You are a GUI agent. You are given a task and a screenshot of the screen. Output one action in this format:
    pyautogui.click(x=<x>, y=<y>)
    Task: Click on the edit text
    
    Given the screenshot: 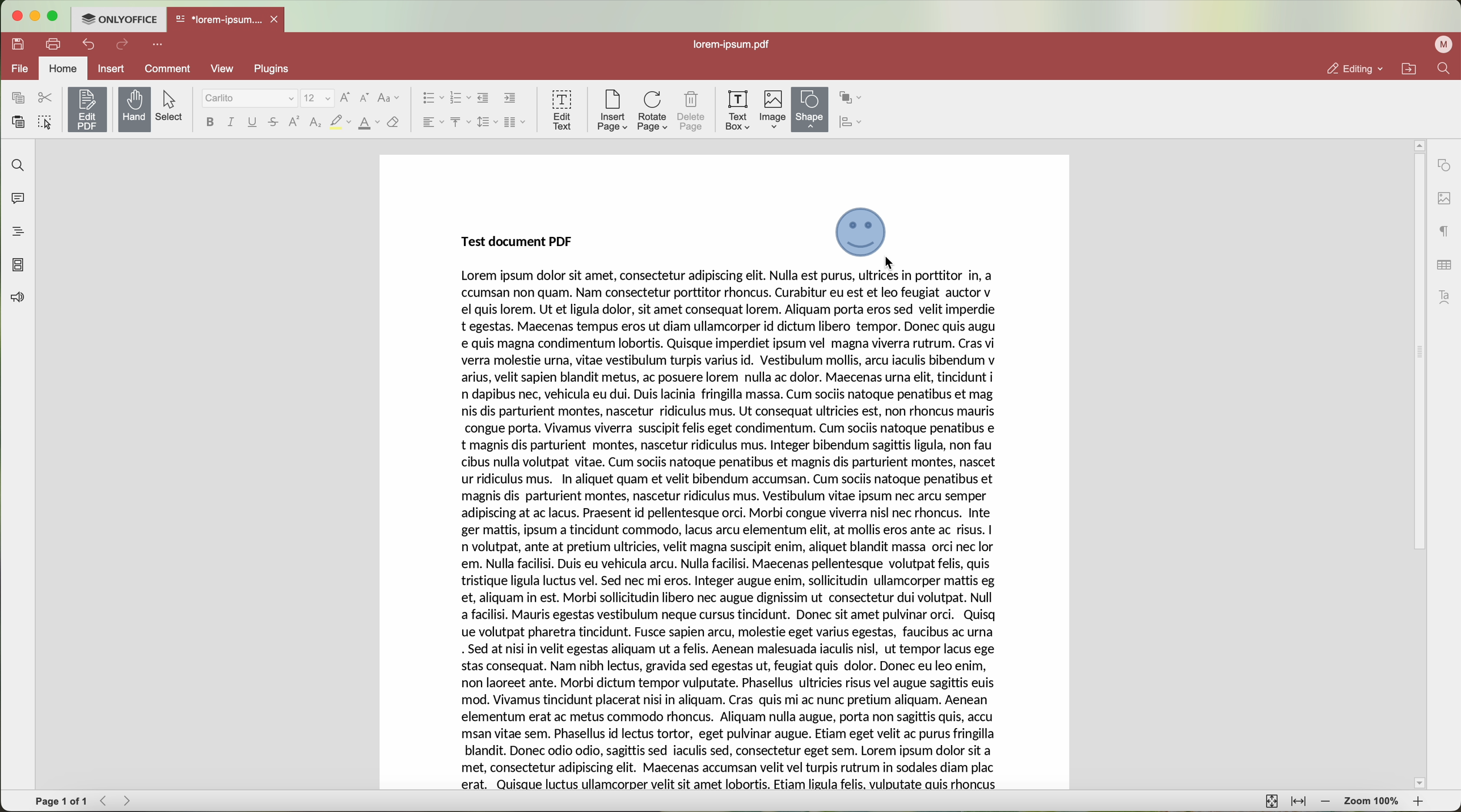 What is the action you would take?
    pyautogui.click(x=561, y=109)
    